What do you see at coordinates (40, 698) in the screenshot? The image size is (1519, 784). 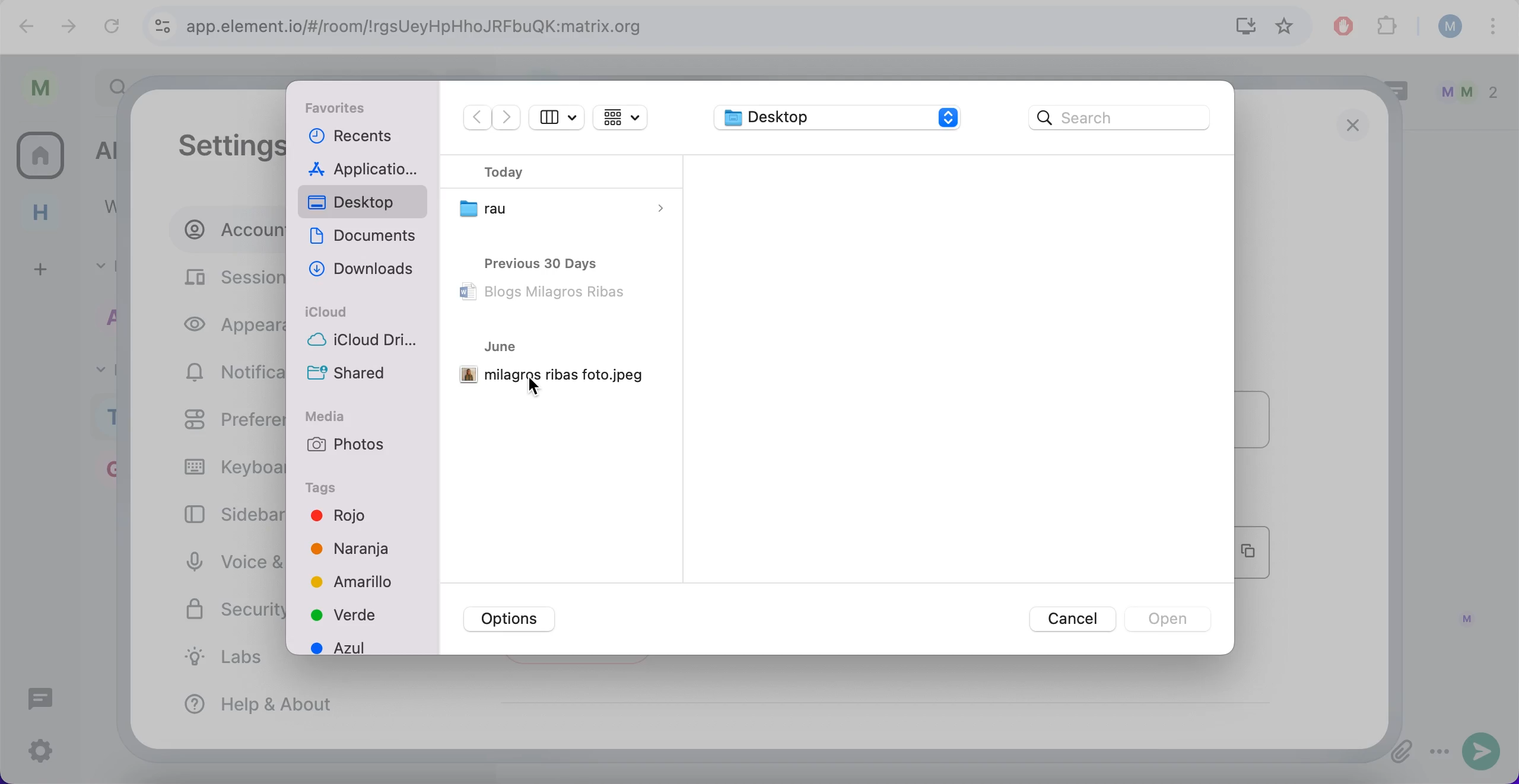 I see `threads` at bounding box center [40, 698].